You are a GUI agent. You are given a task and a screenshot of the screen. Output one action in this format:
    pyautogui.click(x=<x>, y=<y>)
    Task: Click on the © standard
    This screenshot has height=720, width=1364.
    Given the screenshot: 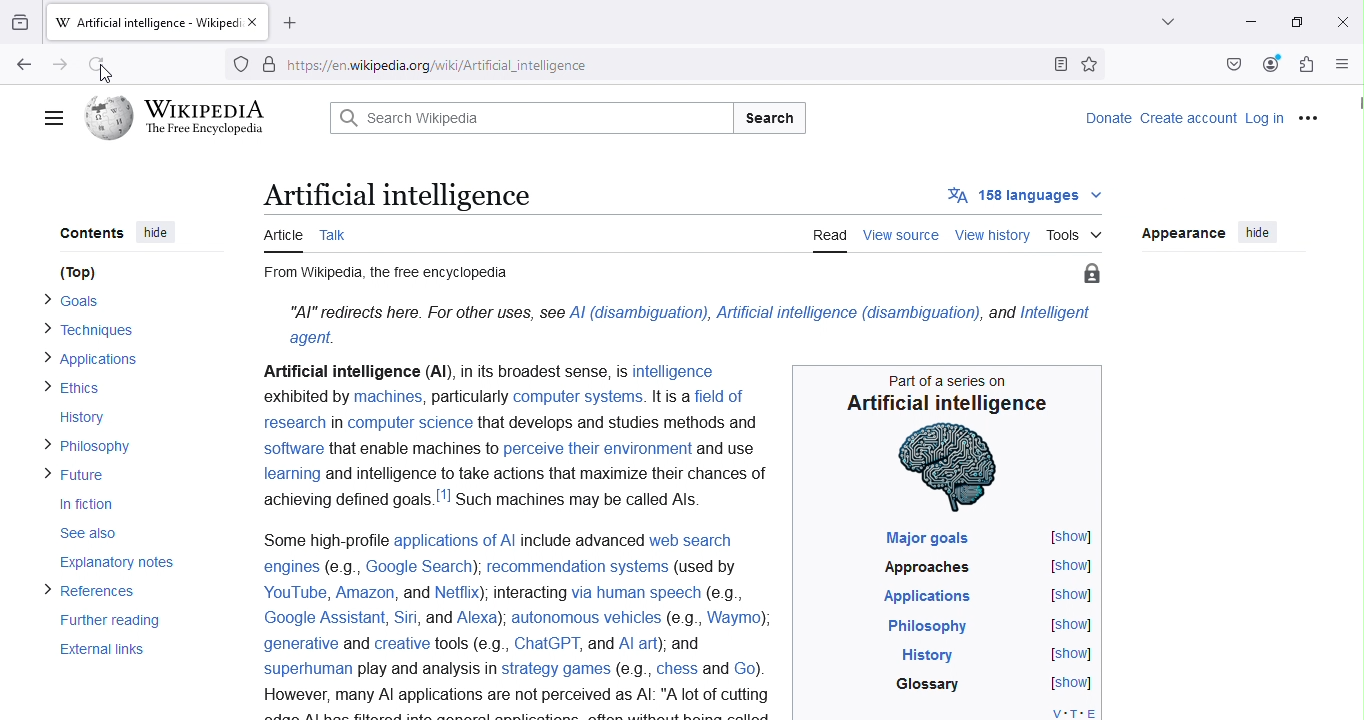 What is the action you would take?
    pyautogui.click(x=1191, y=451)
    